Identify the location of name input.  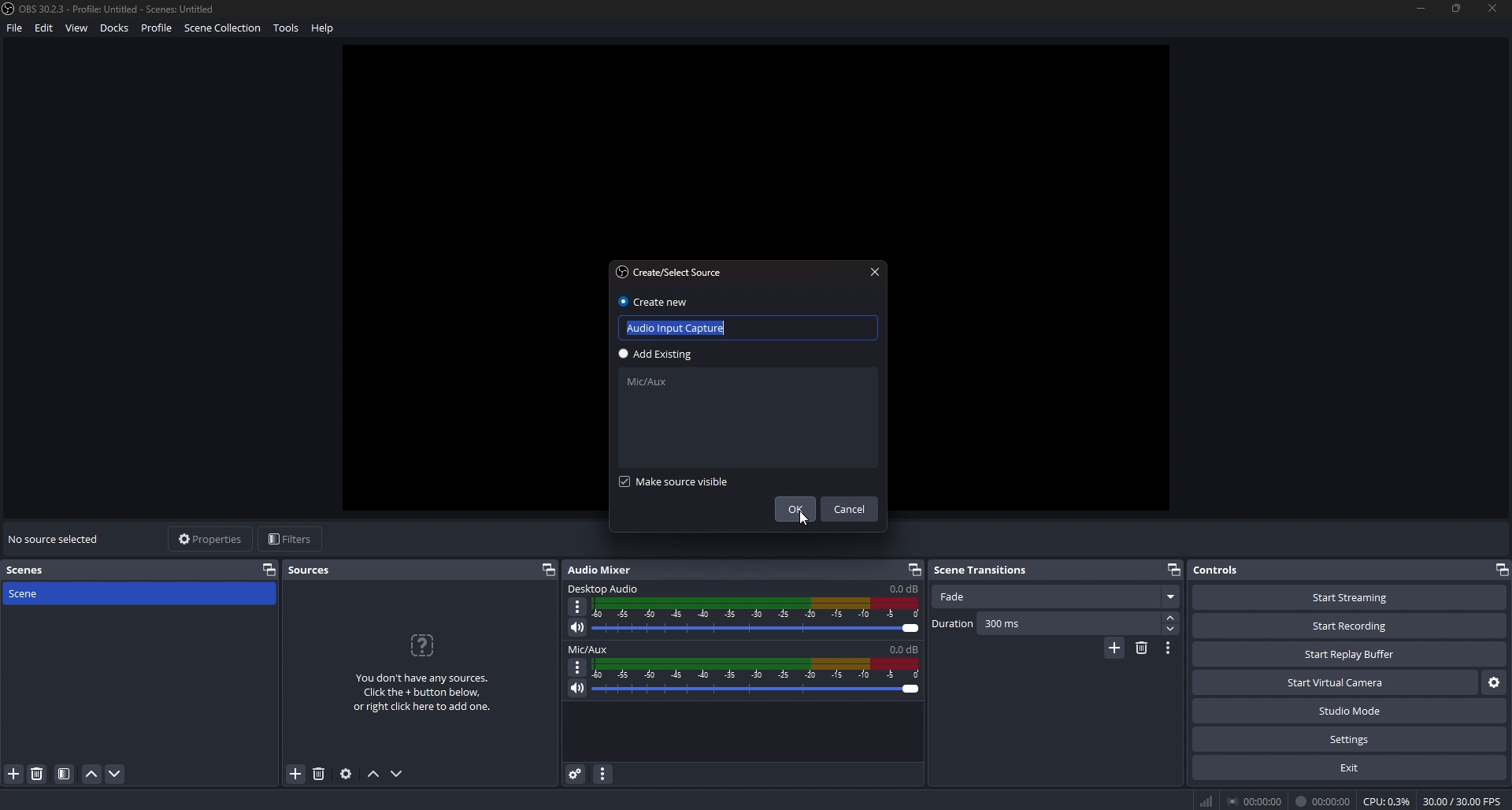
(680, 328).